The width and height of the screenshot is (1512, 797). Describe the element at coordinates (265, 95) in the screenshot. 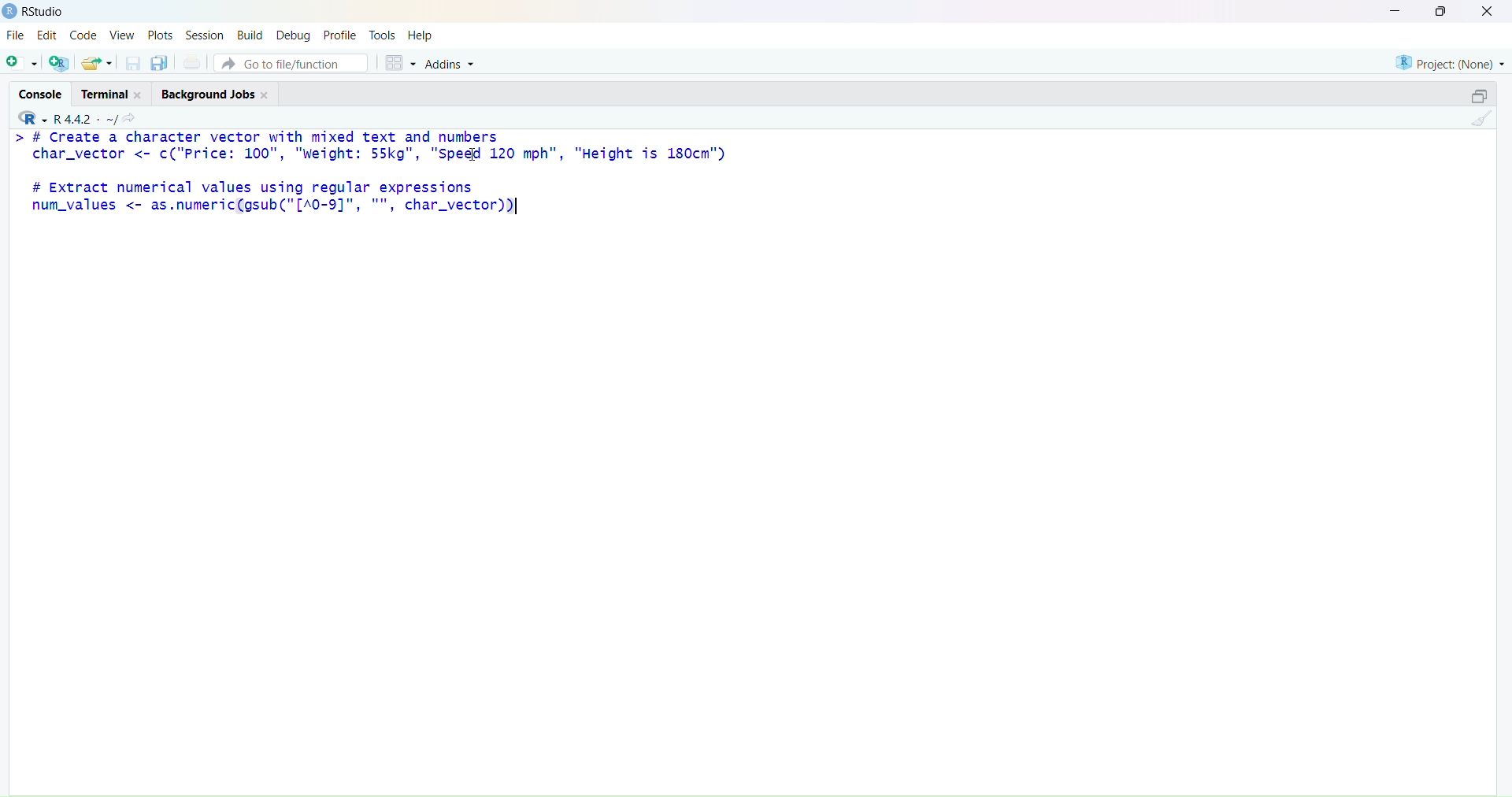

I see `close` at that location.